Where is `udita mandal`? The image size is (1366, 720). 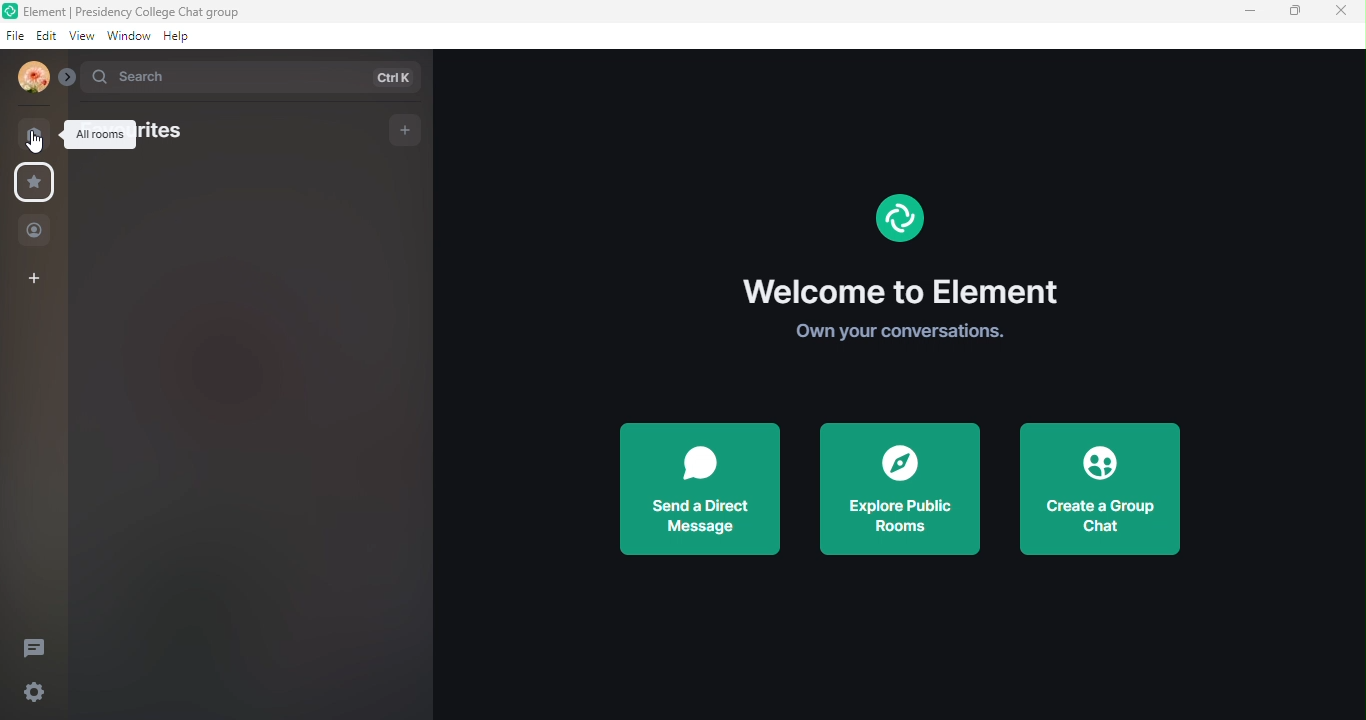
udita mandal is located at coordinates (31, 80).